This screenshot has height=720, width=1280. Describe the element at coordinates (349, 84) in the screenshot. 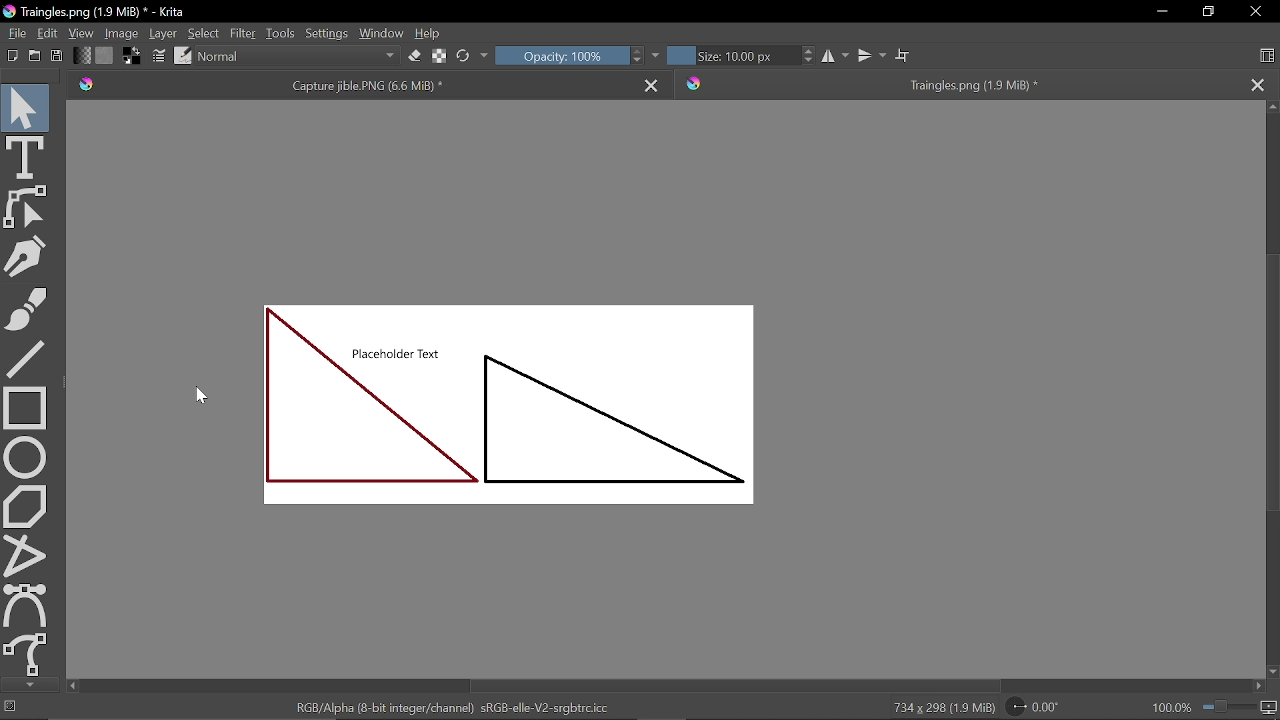

I see `Current tab` at that location.